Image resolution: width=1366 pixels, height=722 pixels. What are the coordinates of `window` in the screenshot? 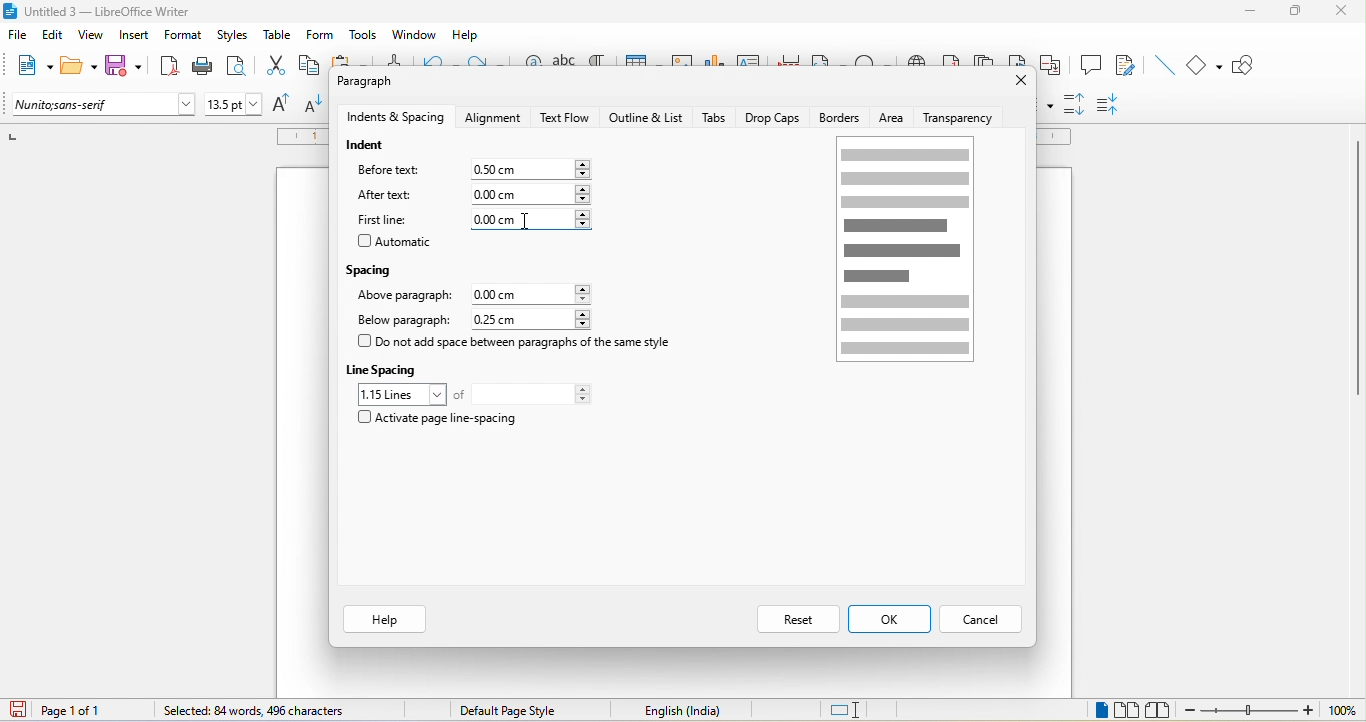 It's located at (415, 35).